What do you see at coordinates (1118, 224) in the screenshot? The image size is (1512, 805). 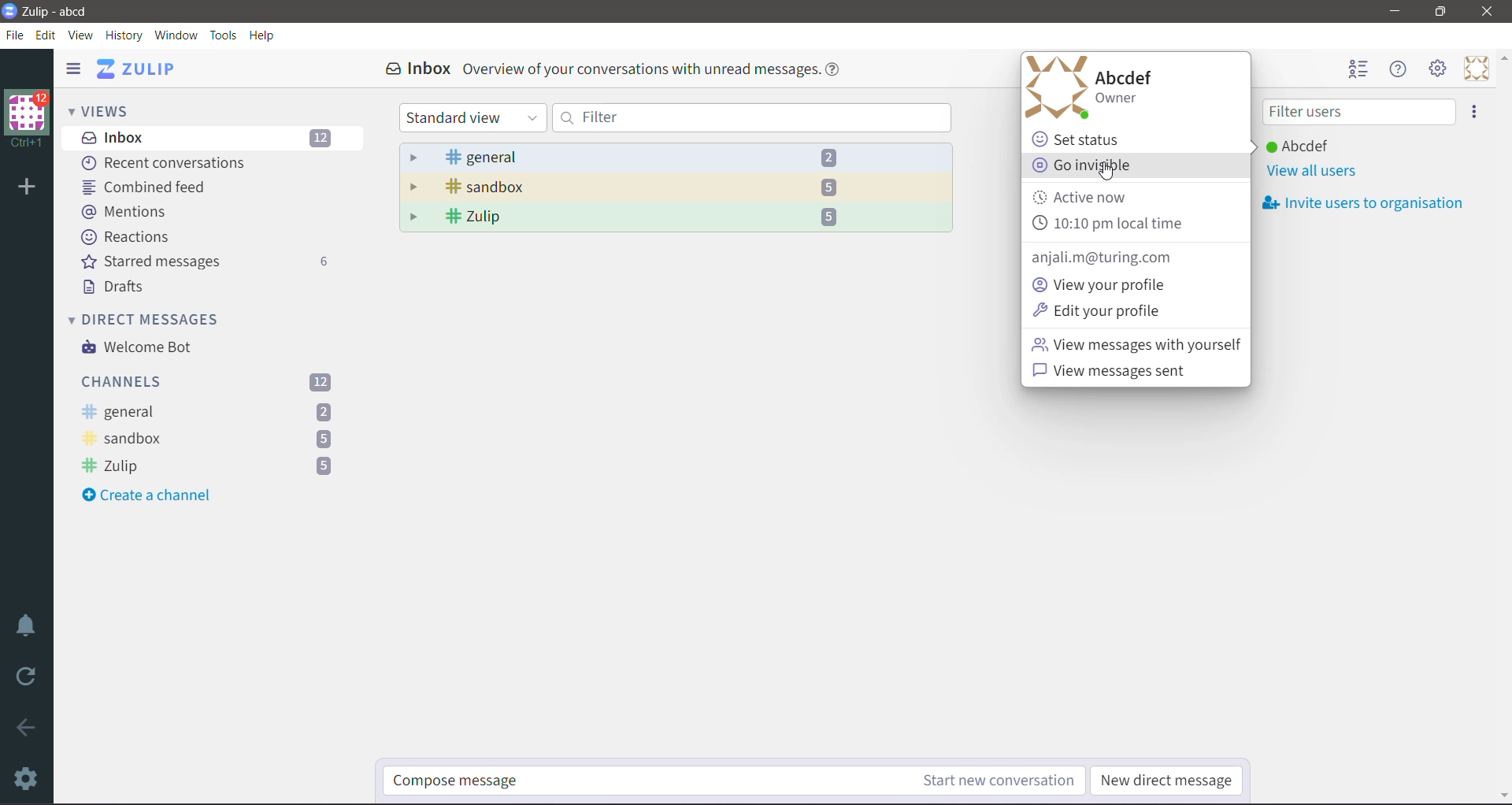 I see `10:10pm local time(Current Time)` at bounding box center [1118, 224].